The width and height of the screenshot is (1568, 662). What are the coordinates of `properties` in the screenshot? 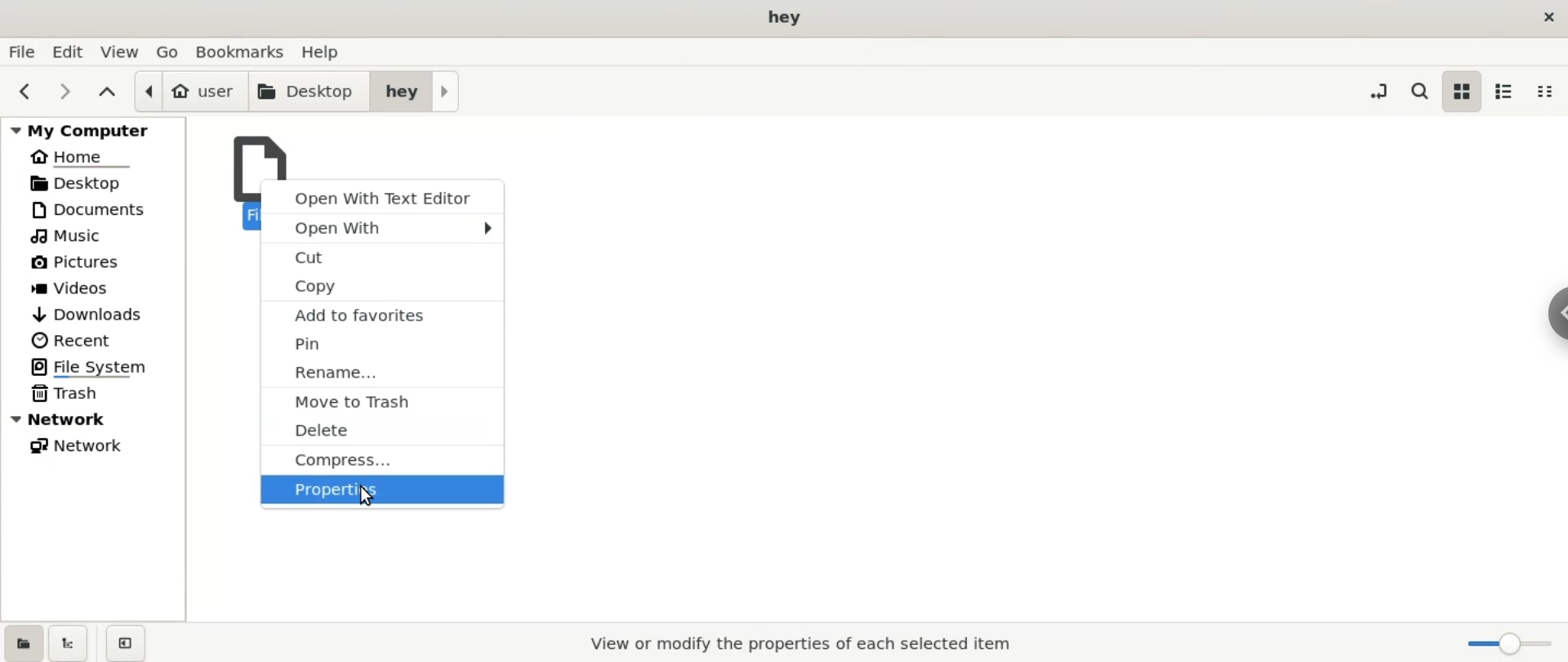 It's located at (383, 492).